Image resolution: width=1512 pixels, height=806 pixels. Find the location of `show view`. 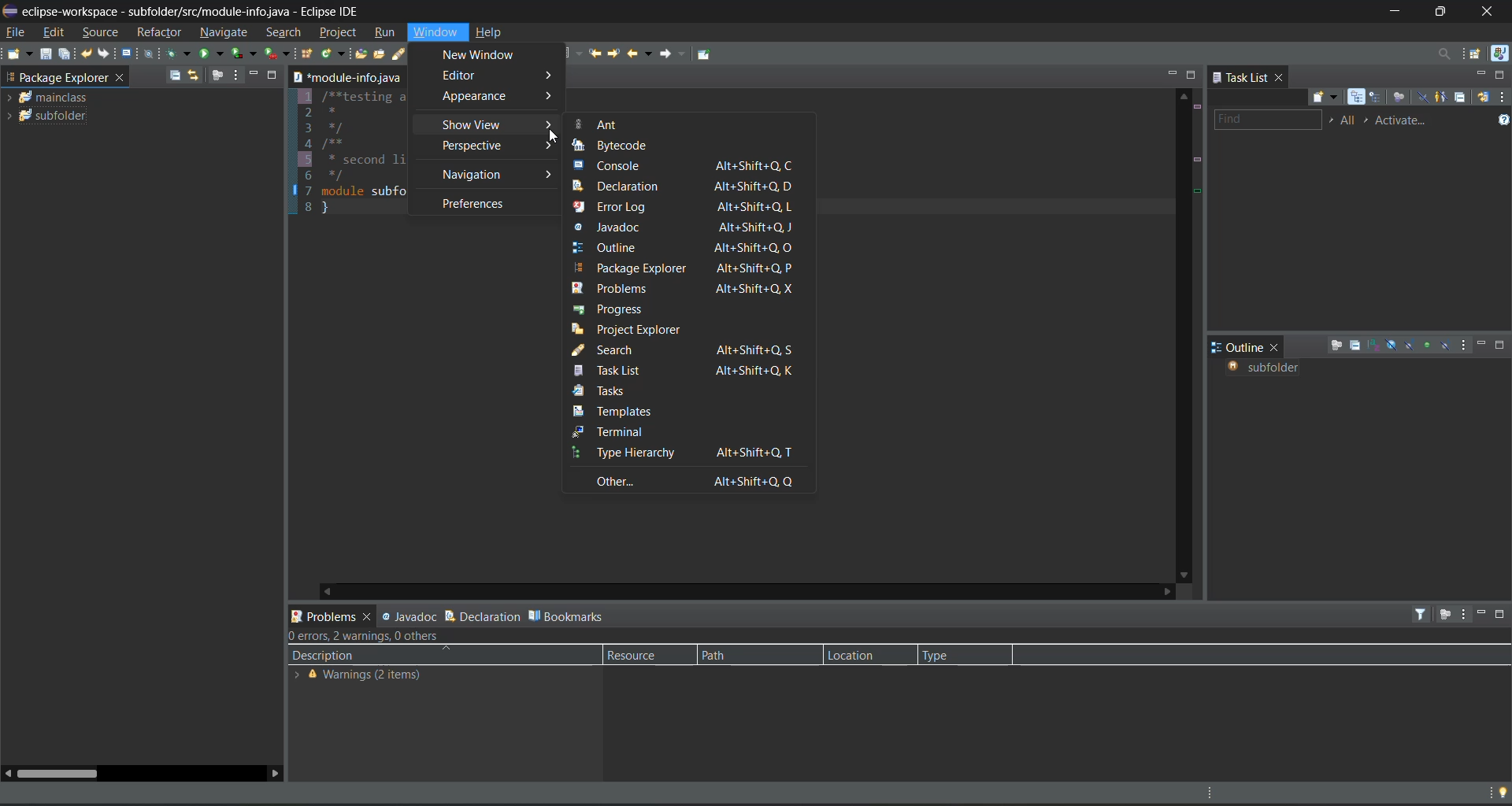

show view is located at coordinates (499, 126).